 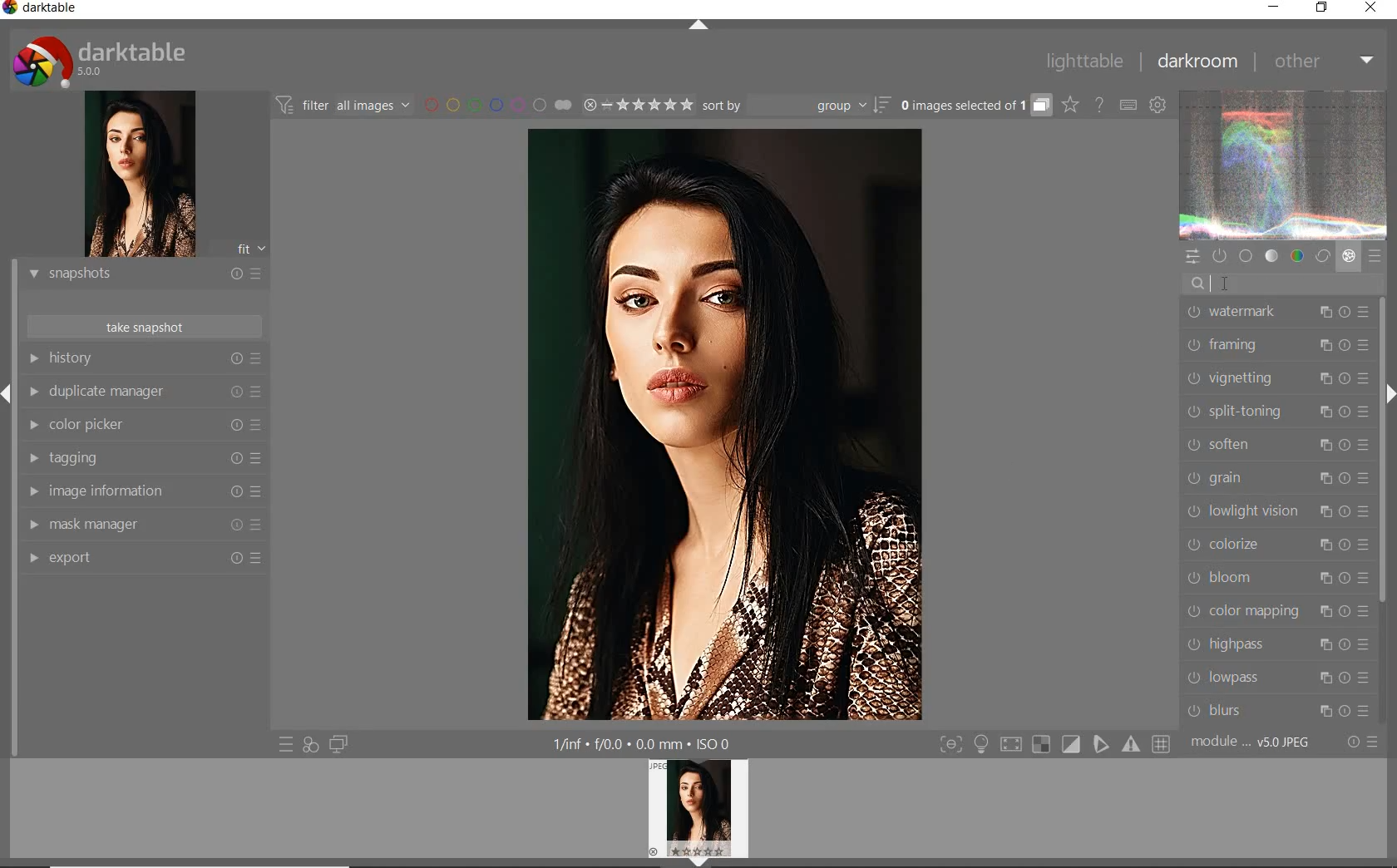 What do you see at coordinates (1042, 746) in the screenshot?
I see `sign ` at bounding box center [1042, 746].